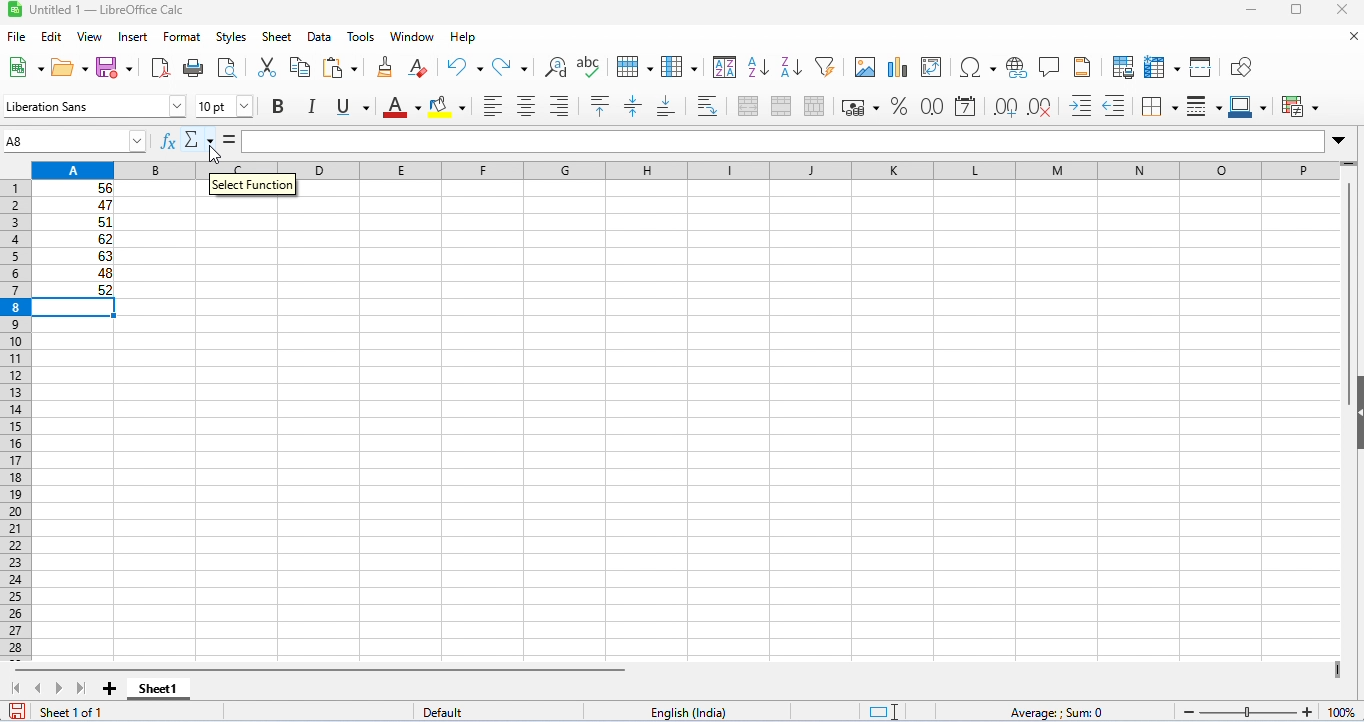 The image size is (1364, 722). Describe the element at coordinates (526, 106) in the screenshot. I see `align center` at that location.